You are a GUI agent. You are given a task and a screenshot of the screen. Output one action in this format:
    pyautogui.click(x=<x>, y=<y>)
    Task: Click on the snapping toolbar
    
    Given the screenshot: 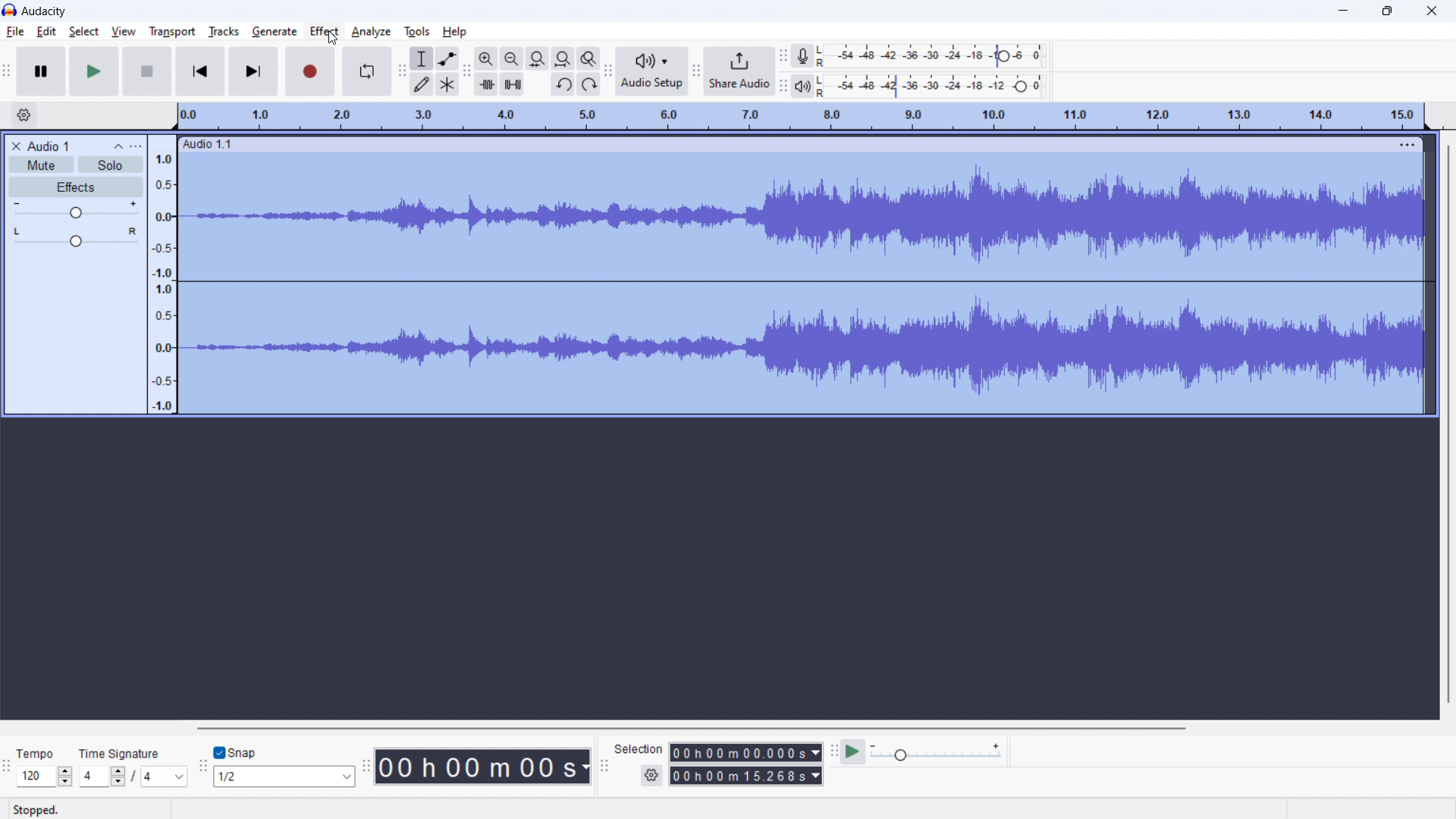 What is the action you would take?
    pyautogui.click(x=203, y=766)
    